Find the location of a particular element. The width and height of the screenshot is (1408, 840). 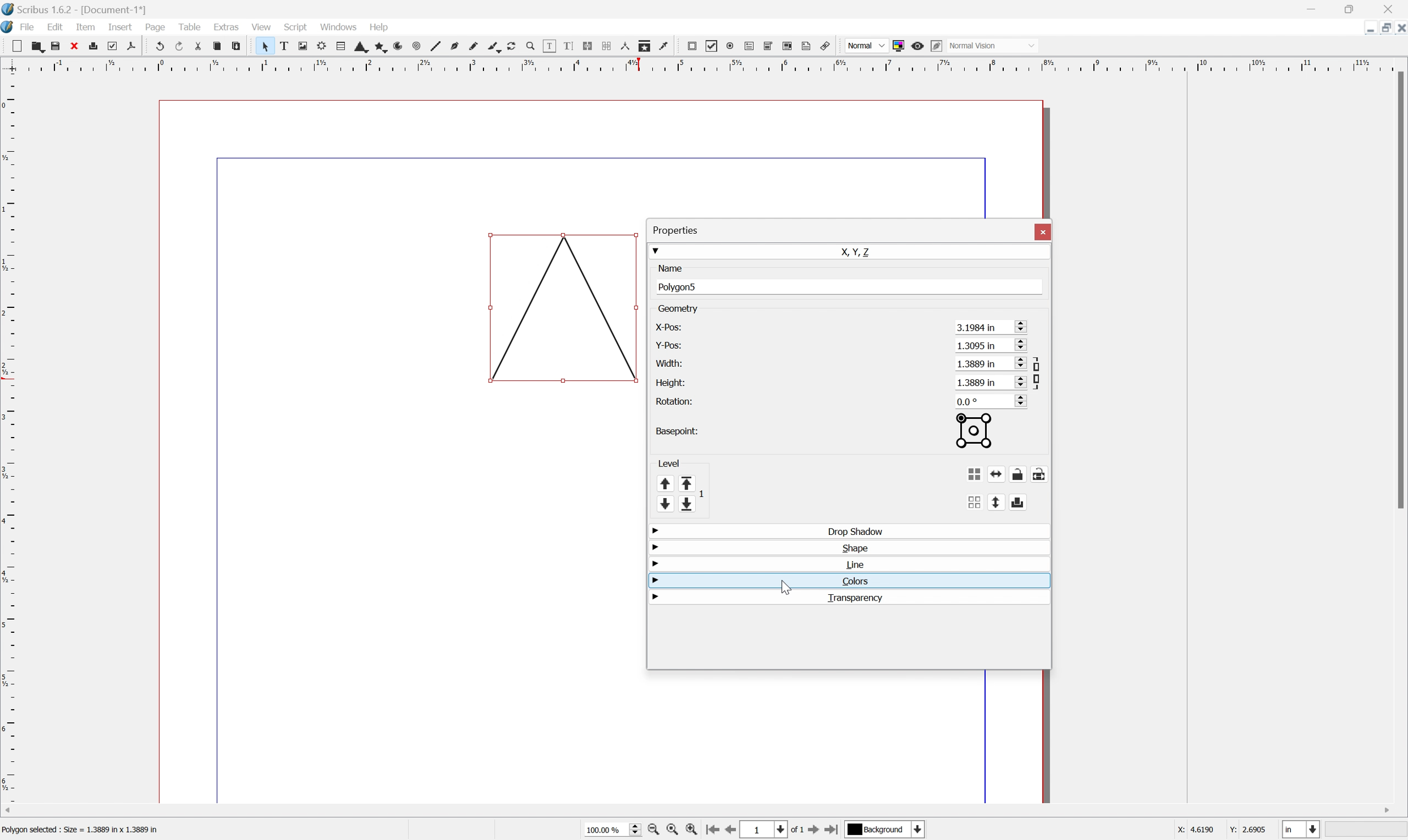

Scroll is located at coordinates (1018, 325).